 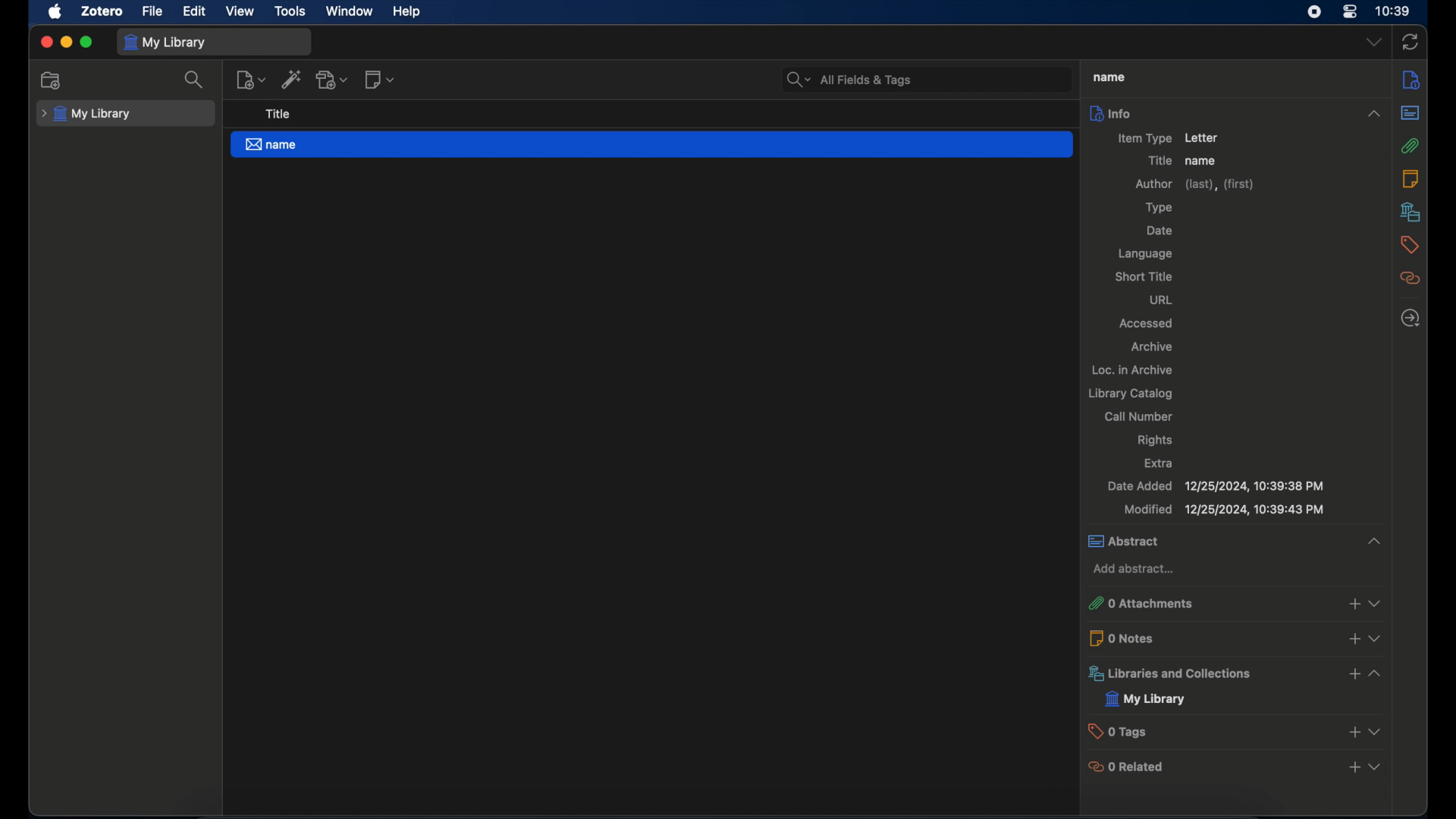 What do you see at coordinates (1109, 77) in the screenshot?
I see `title` at bounding box center [1109, 77].